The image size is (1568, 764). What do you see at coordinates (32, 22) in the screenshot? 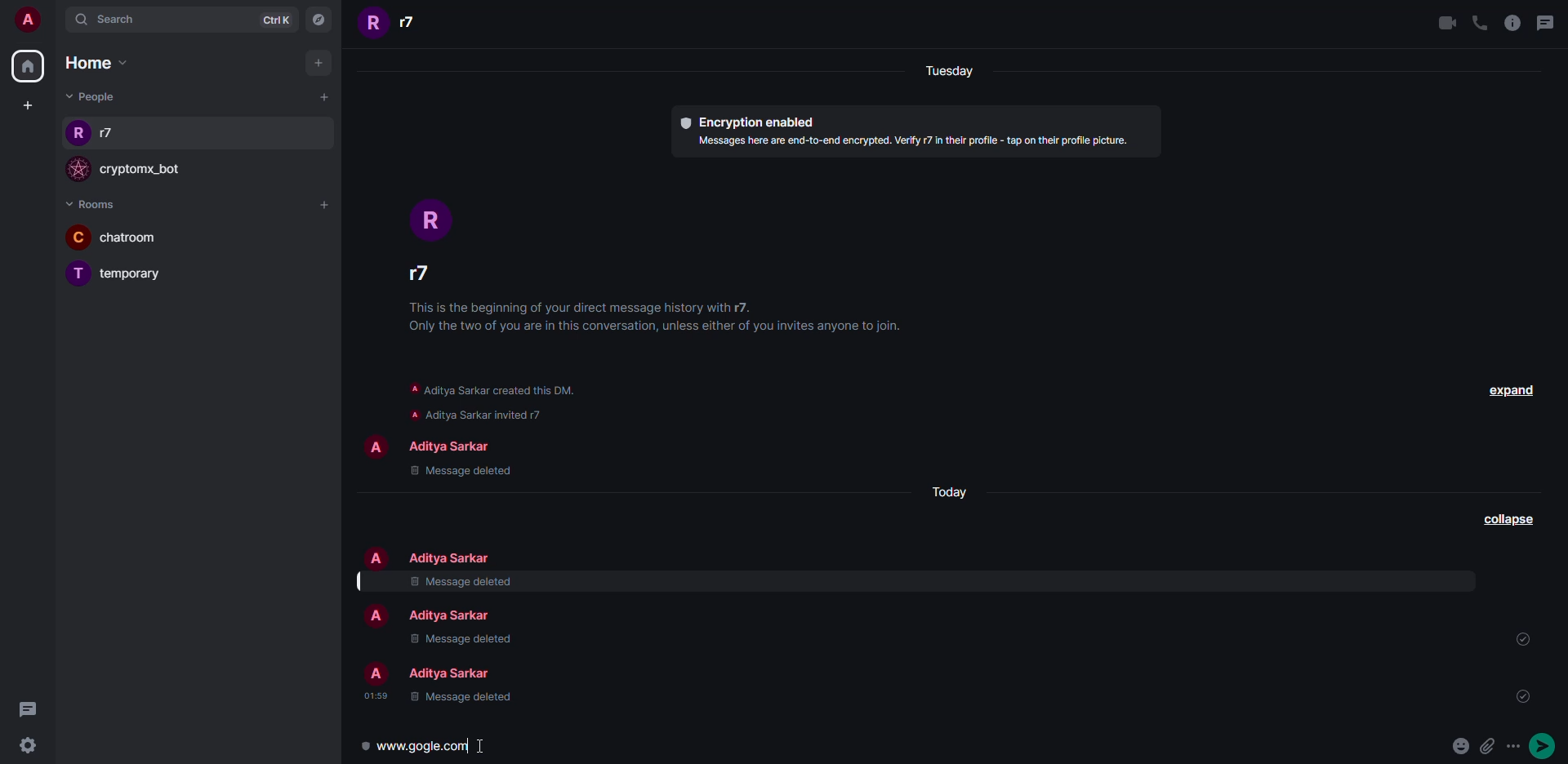
I see `account` at bounding box center [32, 22].